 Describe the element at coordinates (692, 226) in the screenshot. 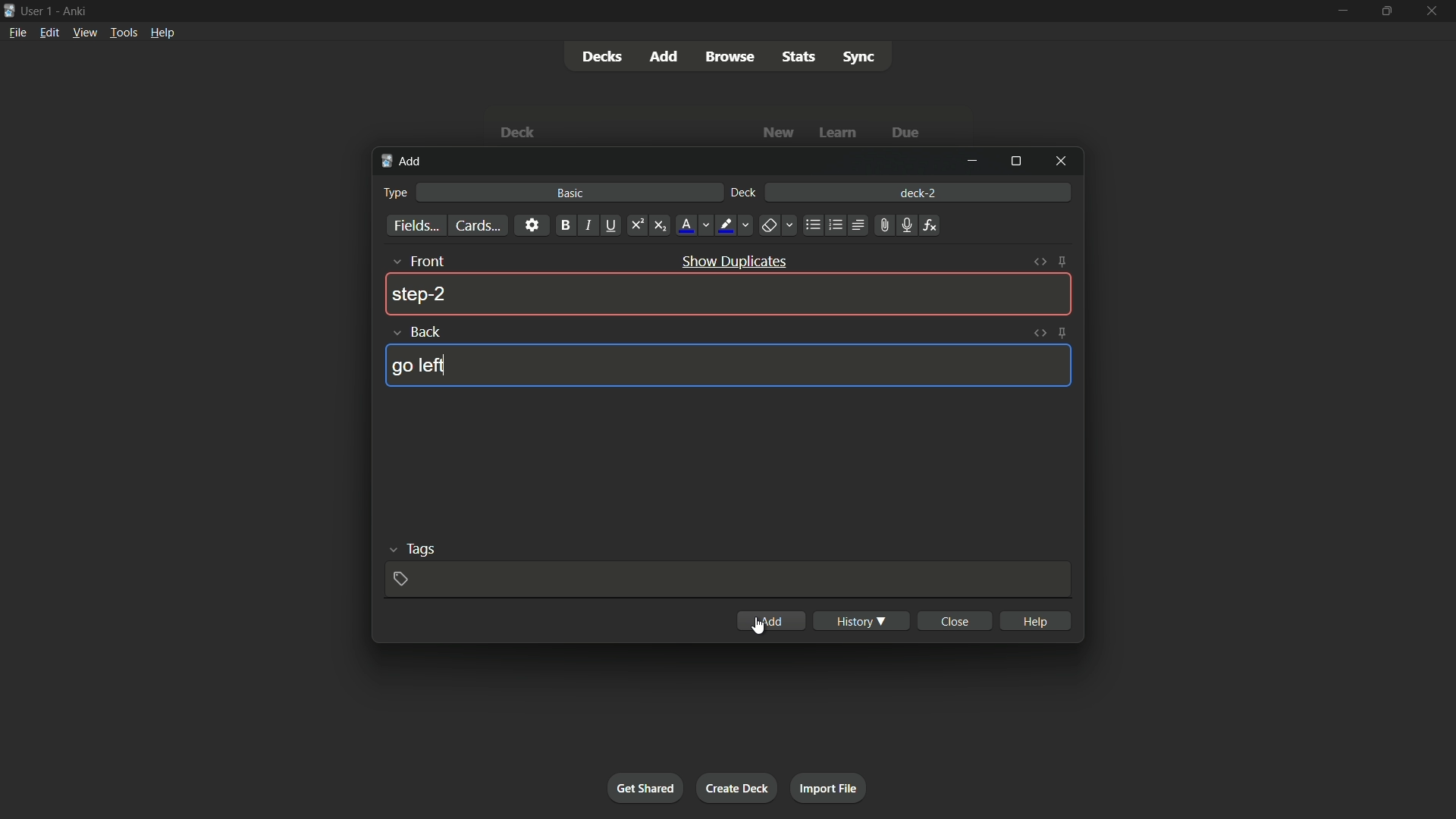

I see `font color` at that location.